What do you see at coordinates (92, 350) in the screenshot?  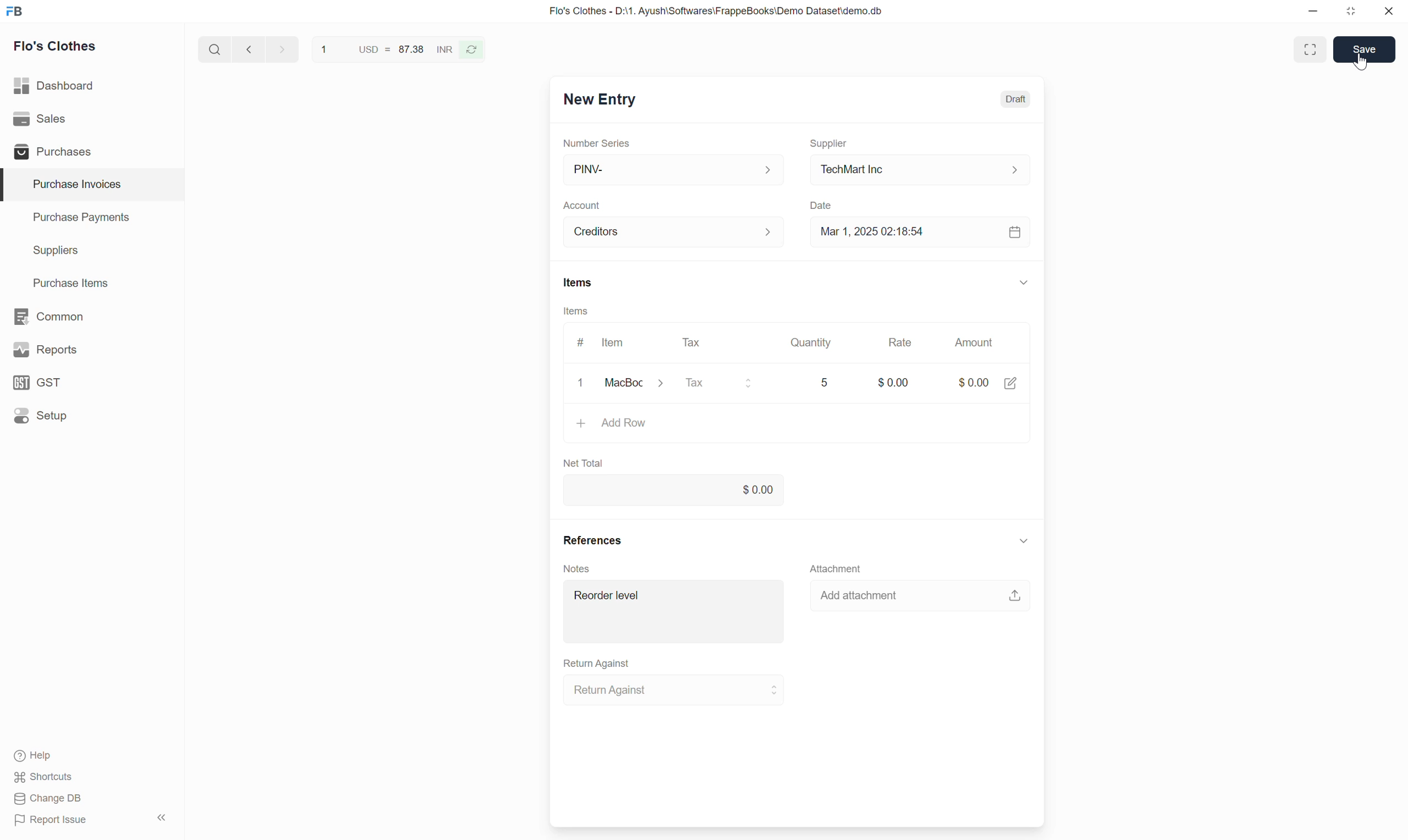 I see `Reports` at bounding box center [92, 350].